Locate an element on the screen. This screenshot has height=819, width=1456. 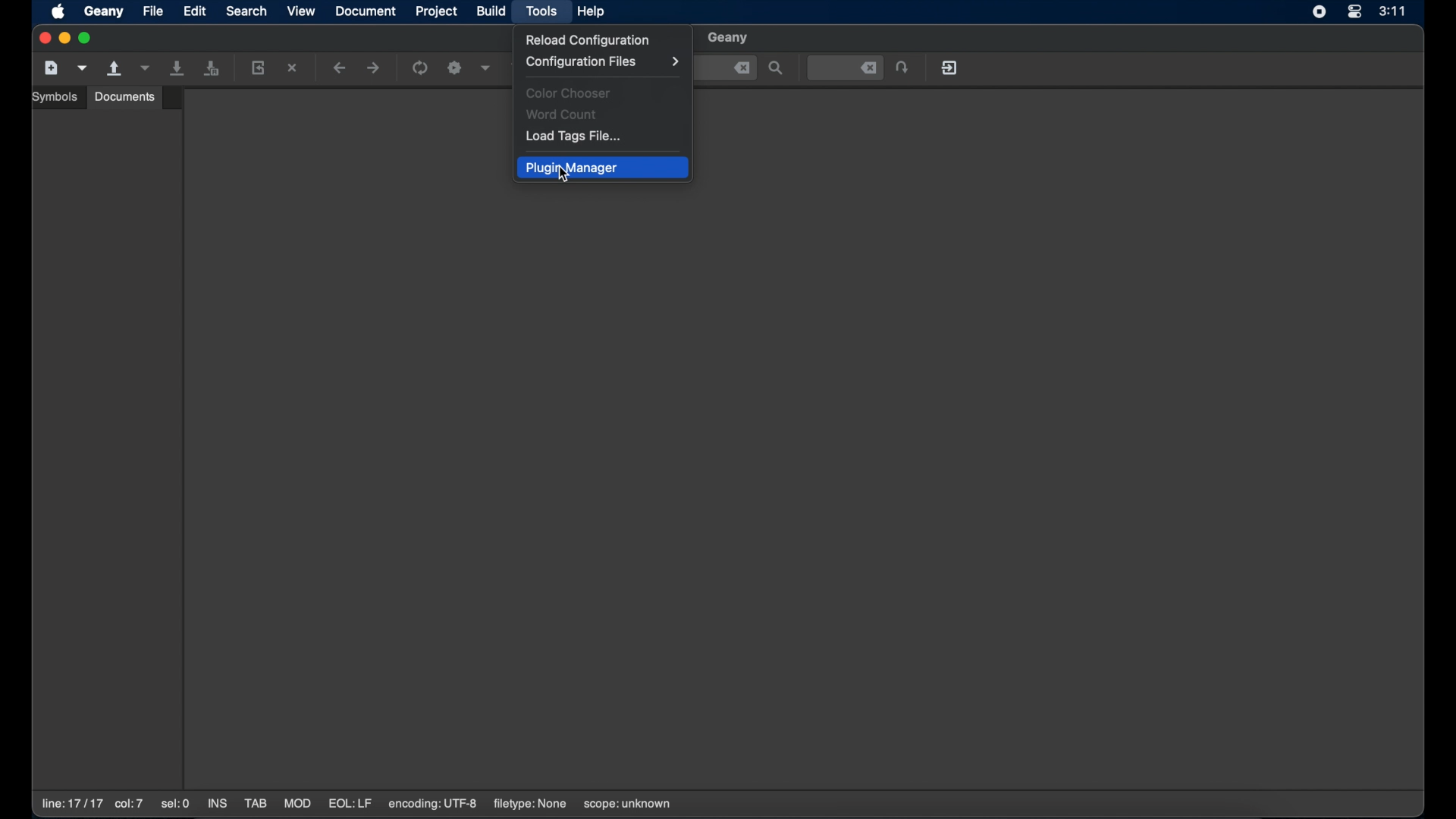
choose more build options is located at coordinates (486, 67).